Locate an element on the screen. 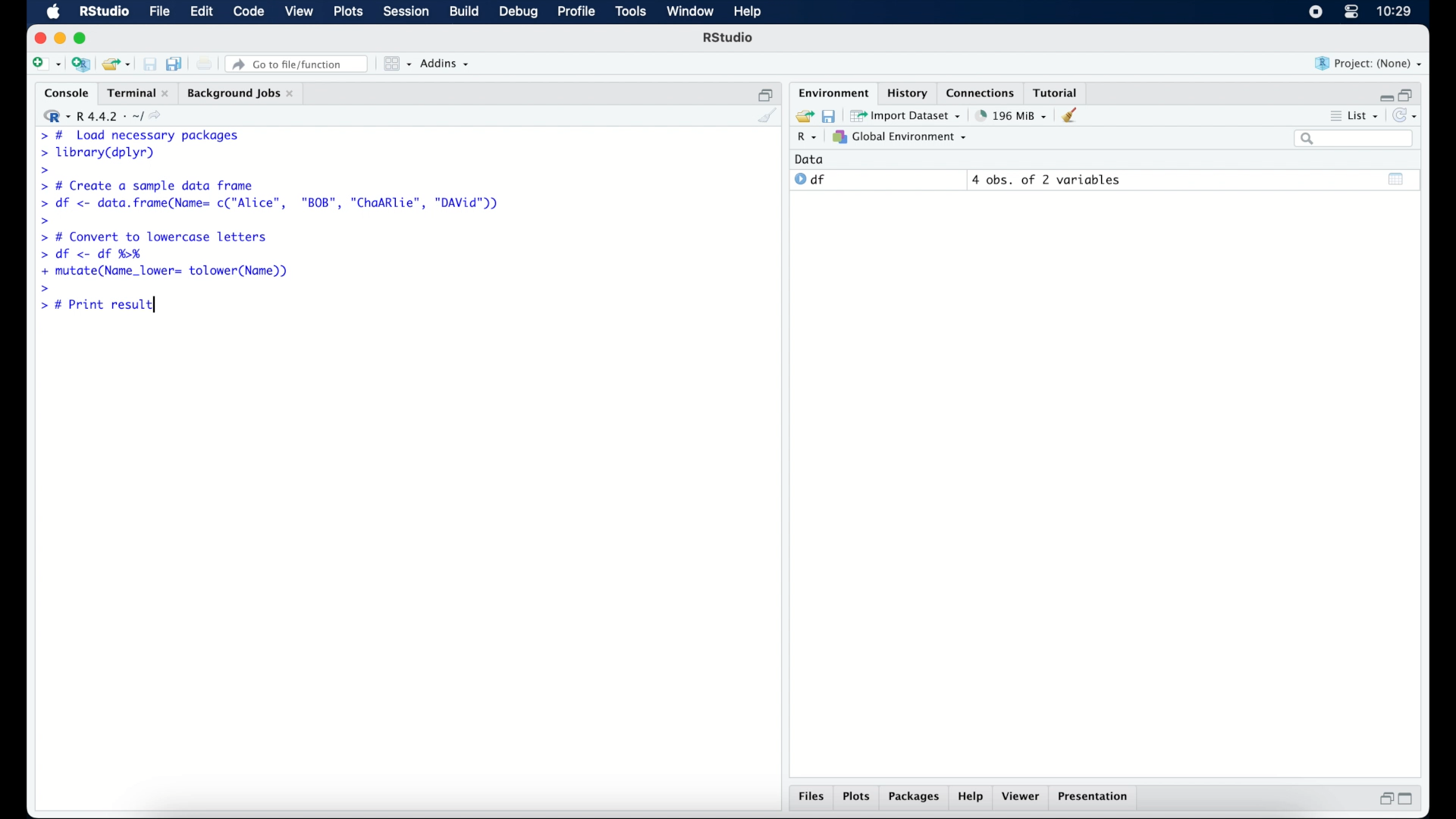 Image resolution: width=1456 pixels, height=819 pixels. global environment is located at coordinates (900, 137).